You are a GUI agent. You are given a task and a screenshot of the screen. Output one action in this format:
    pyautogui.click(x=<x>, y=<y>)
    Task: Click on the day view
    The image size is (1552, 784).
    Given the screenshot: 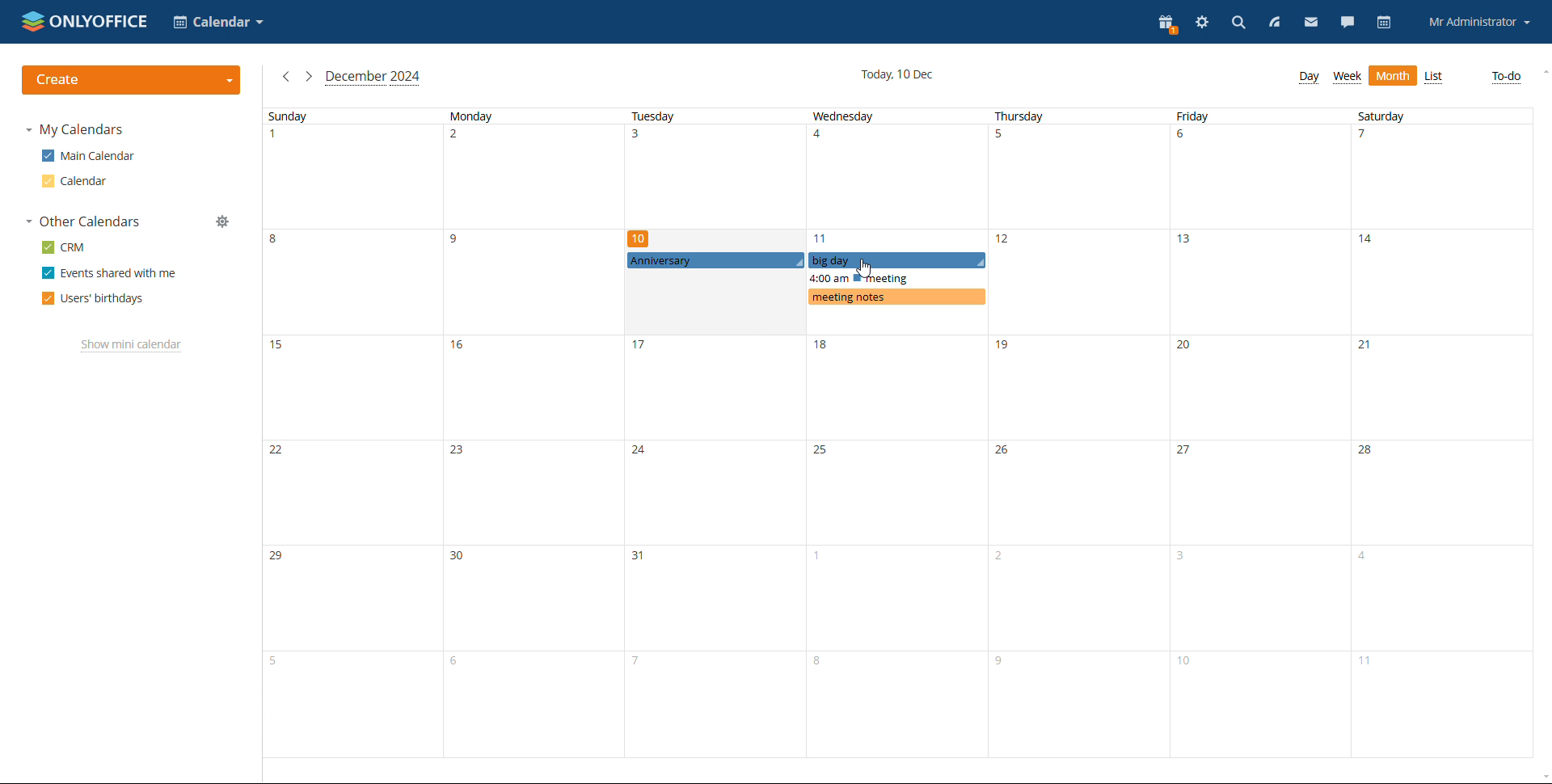 What is the action you would take?
    pyautogui.click(x=1309, y=77)
    